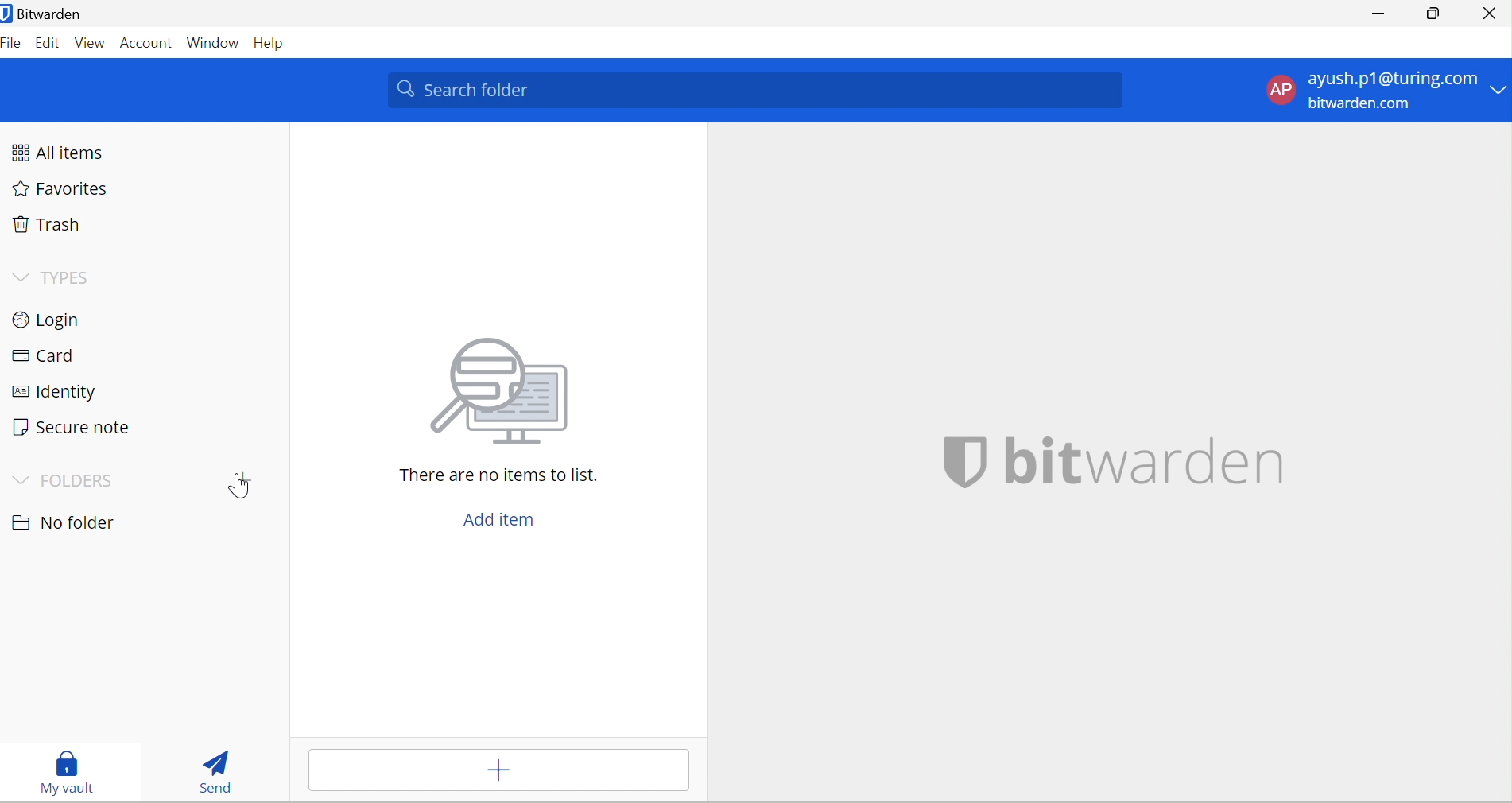 The height and width of the screenshot is (803, 1512). I want to click on Image, so click(504, 392).